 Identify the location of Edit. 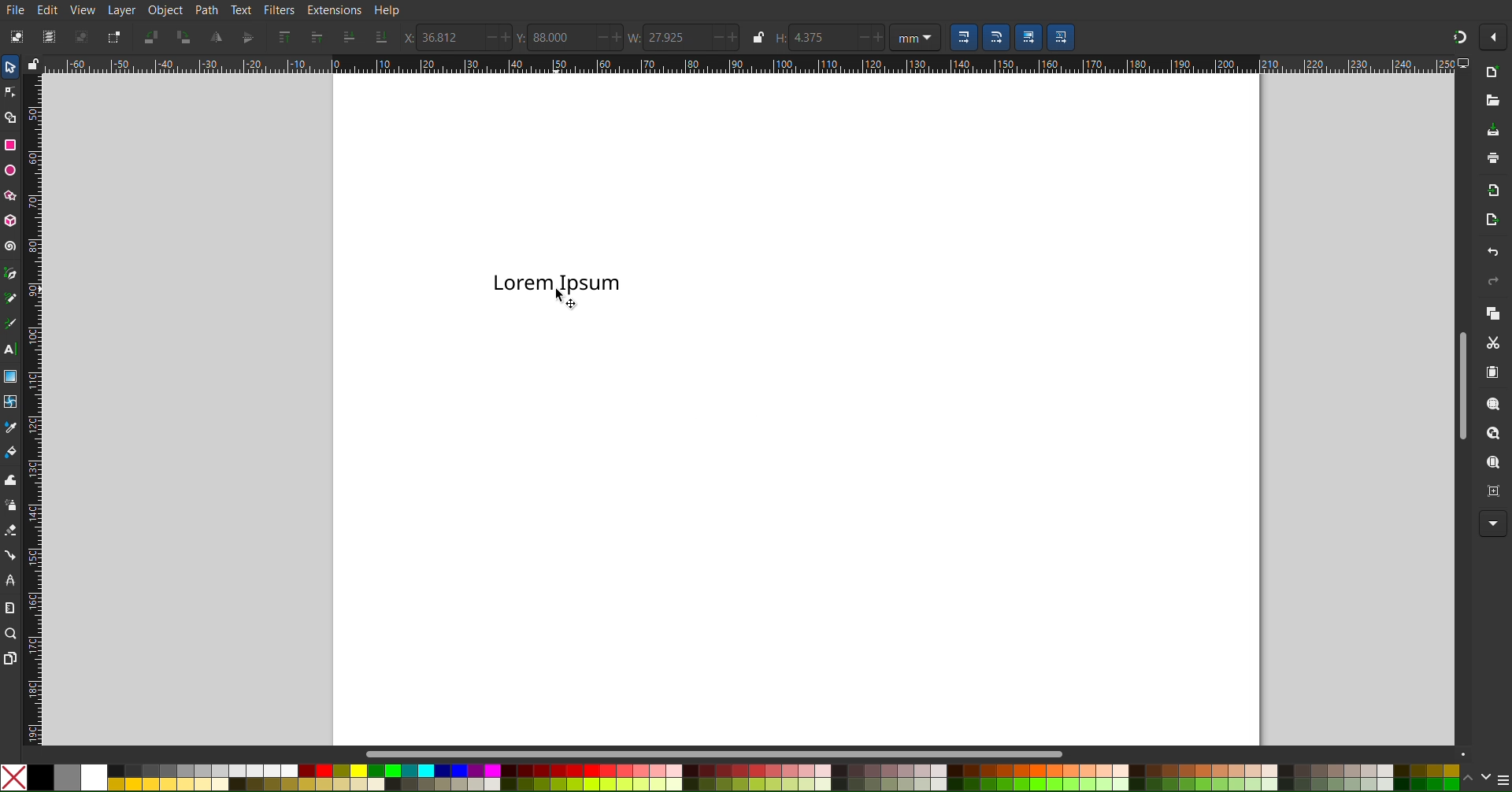
(49, 9).